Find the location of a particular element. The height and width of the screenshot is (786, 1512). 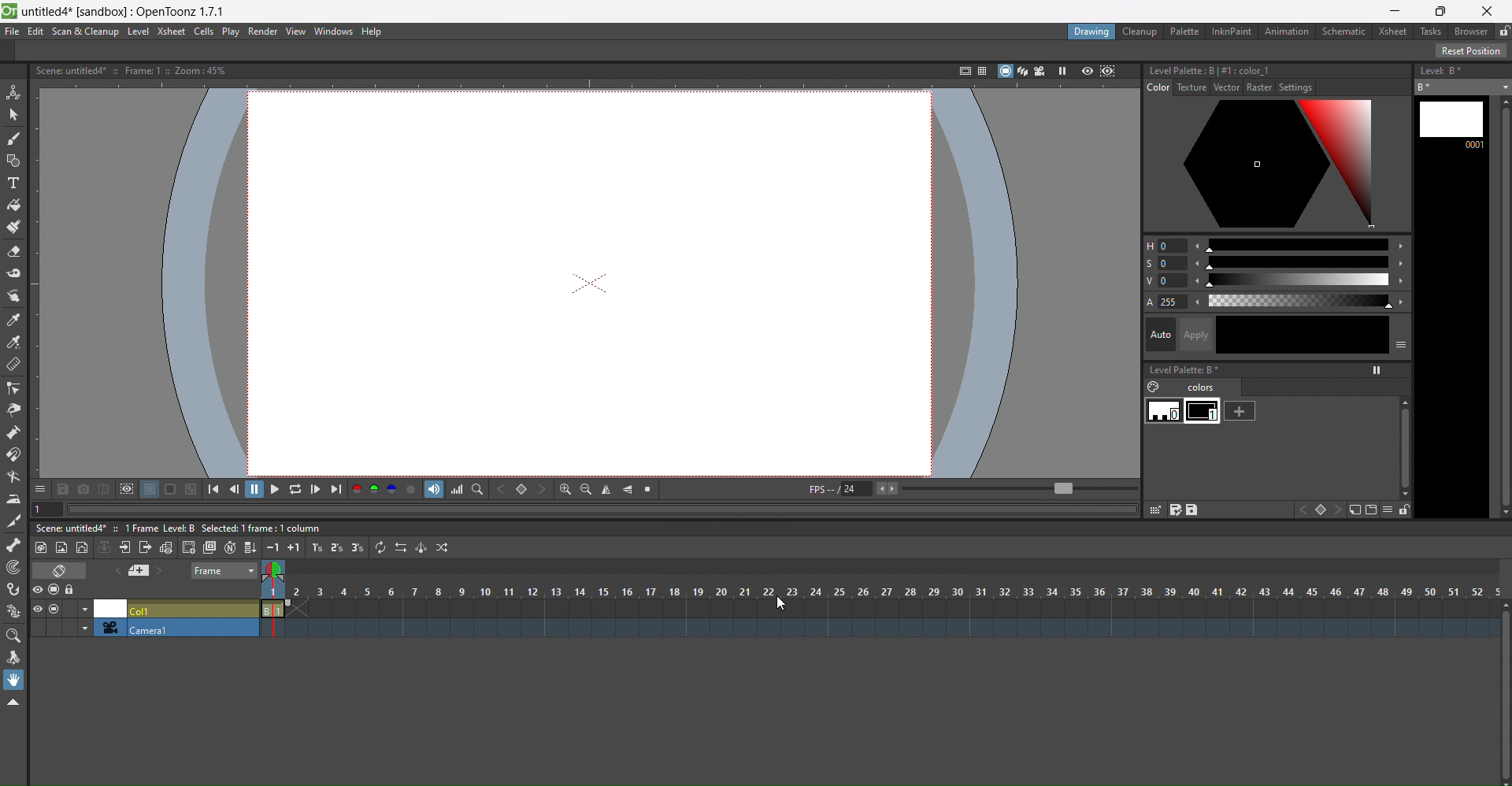

repeat is located at coordinates (380, 547).